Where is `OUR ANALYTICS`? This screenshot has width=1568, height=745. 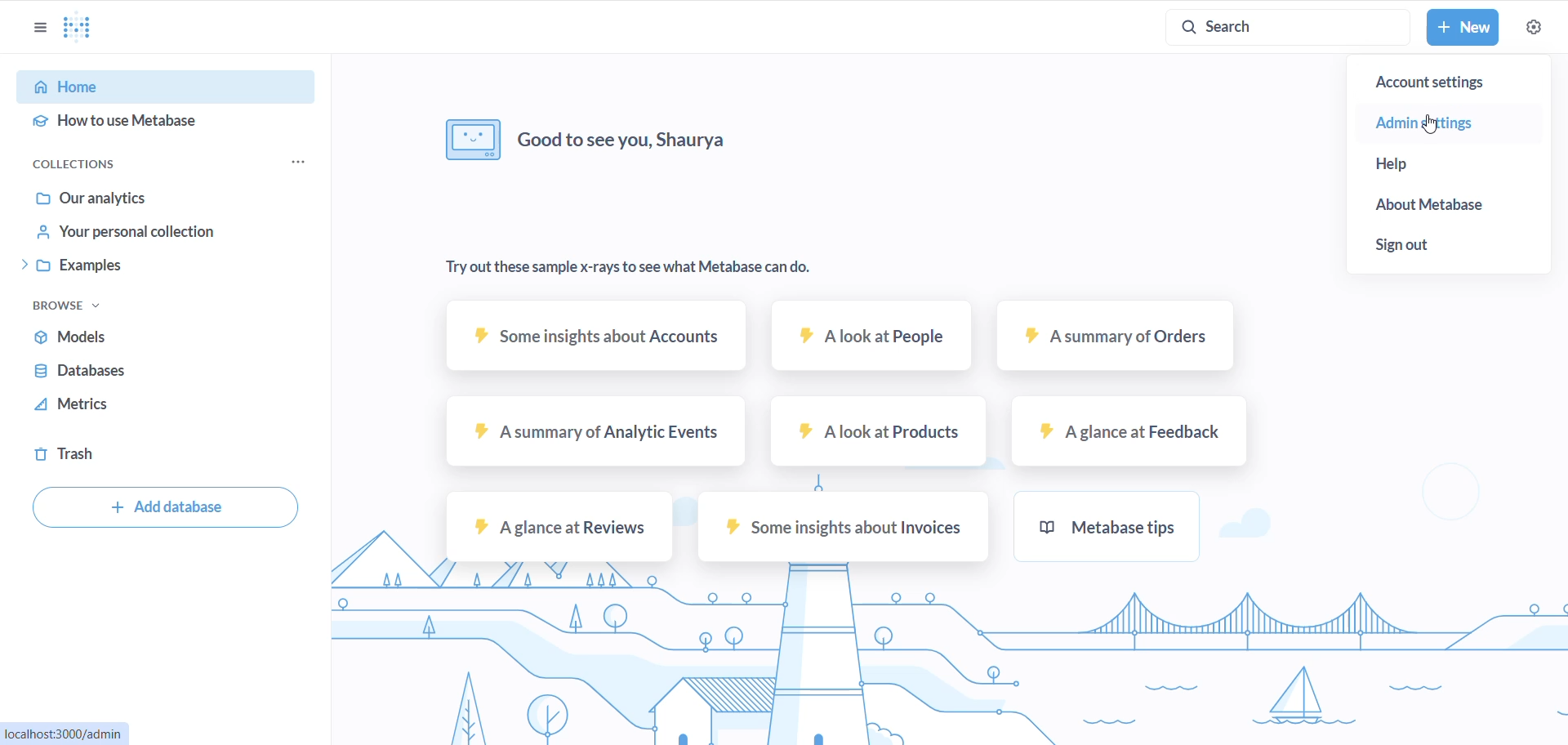
OUR ANALYTICS is located at coordinates (176, 199).